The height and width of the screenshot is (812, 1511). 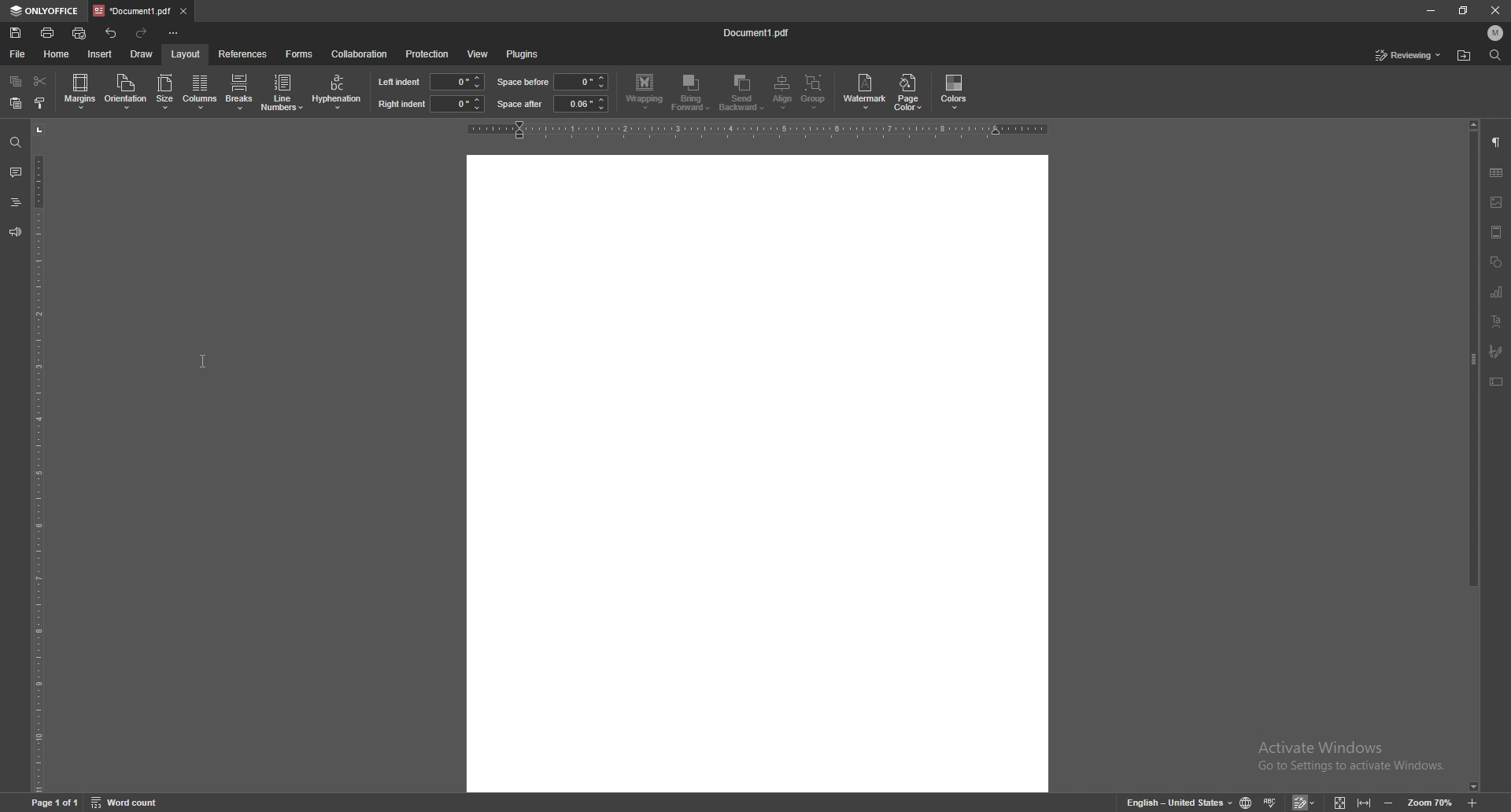 What do you see at coordinates (359, 54) in the screenshot?
I see `collaboration` at bounding box center [359, 54].